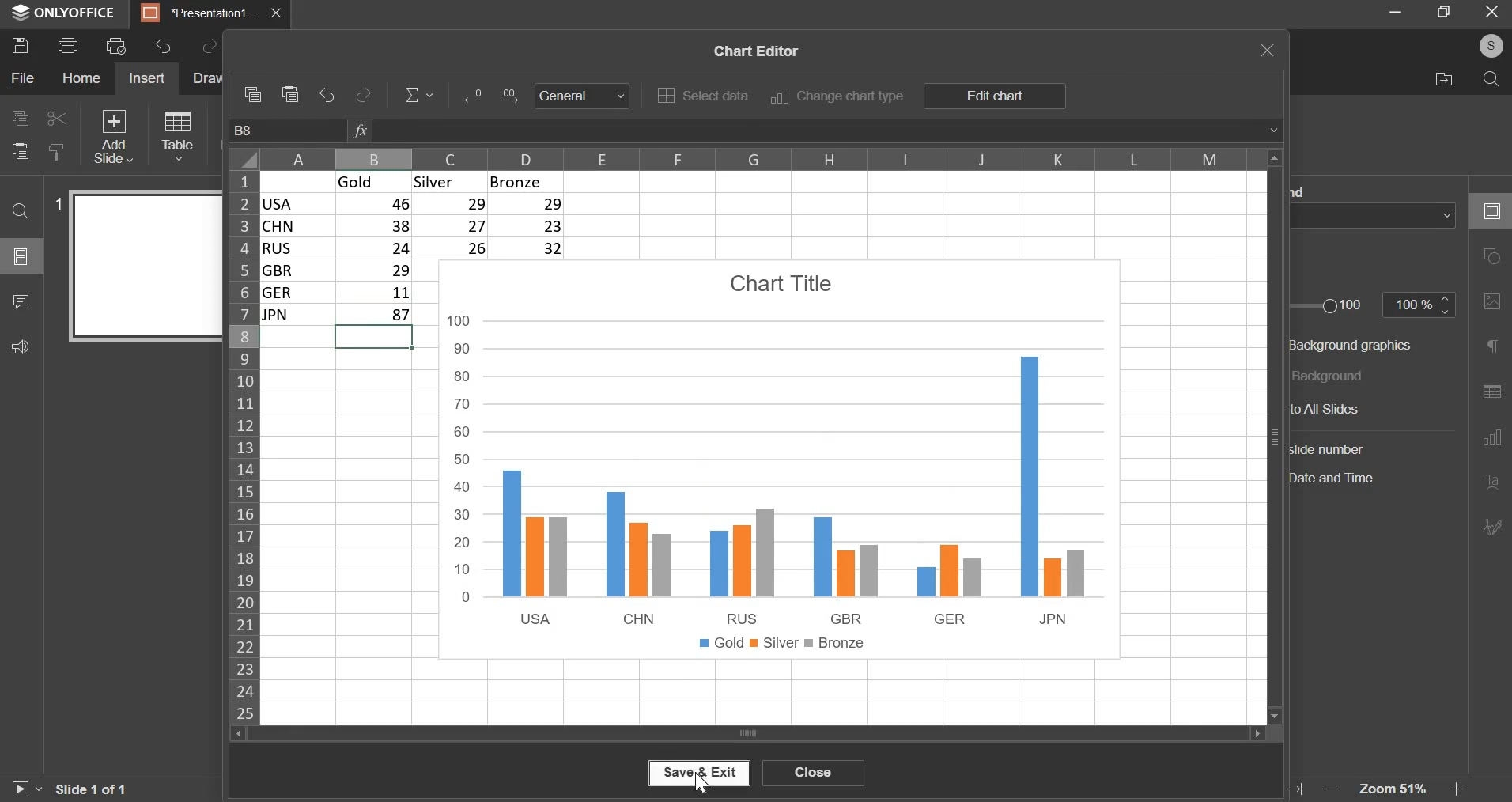 This screenshot has width=1512, height=802. Describe the element at coordinates (1491, 11) in the screenshot. I see `exit` at that location.